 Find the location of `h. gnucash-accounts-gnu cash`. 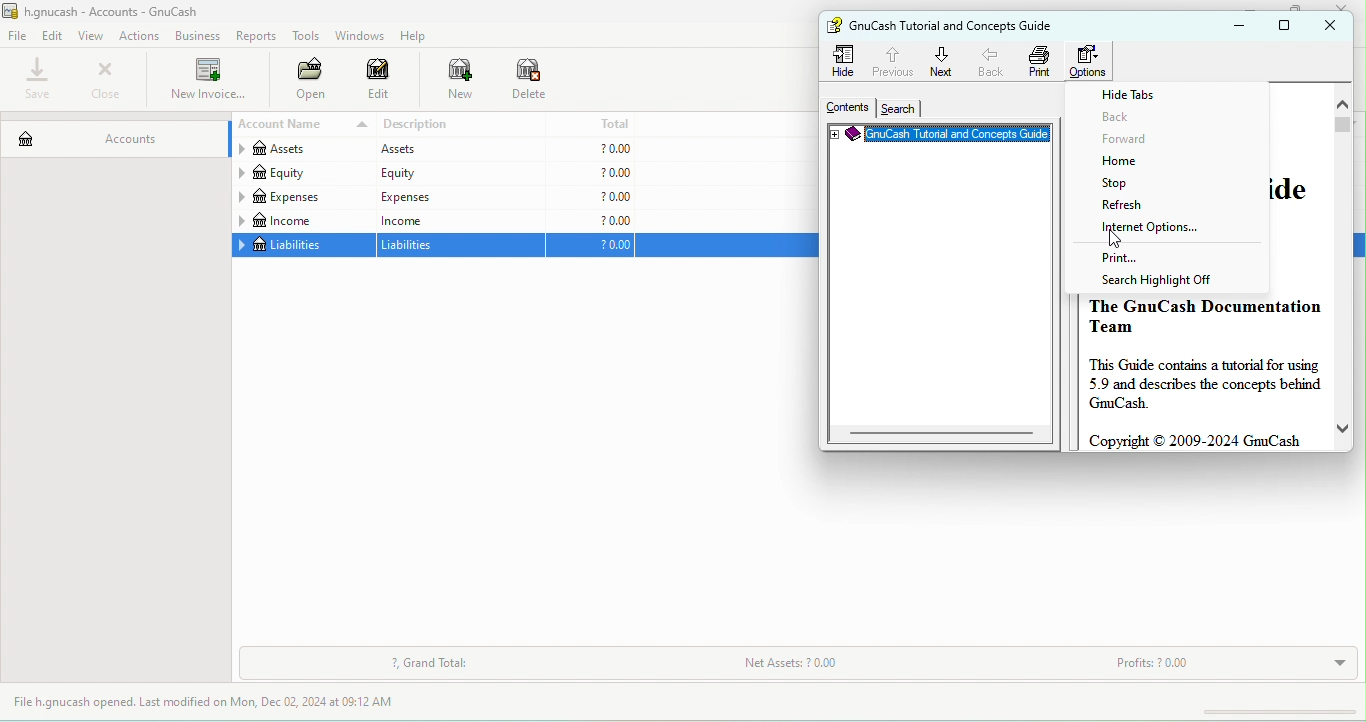

h. gnucash-accounts-gnu cash is located at coordinates (125, 10).